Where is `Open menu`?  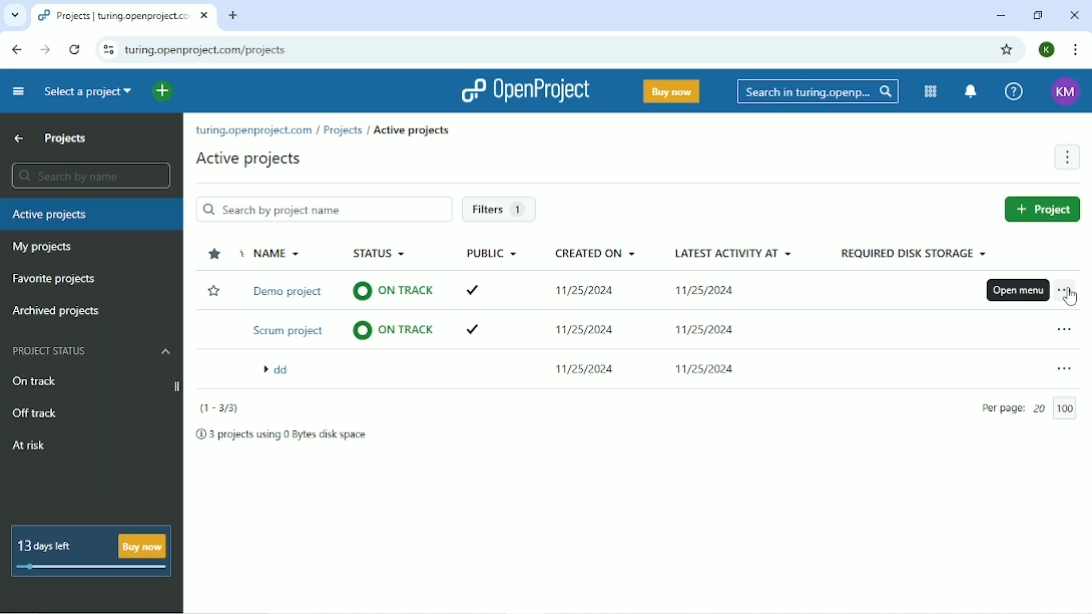
Open menu is located at coordinates (1018, 291).